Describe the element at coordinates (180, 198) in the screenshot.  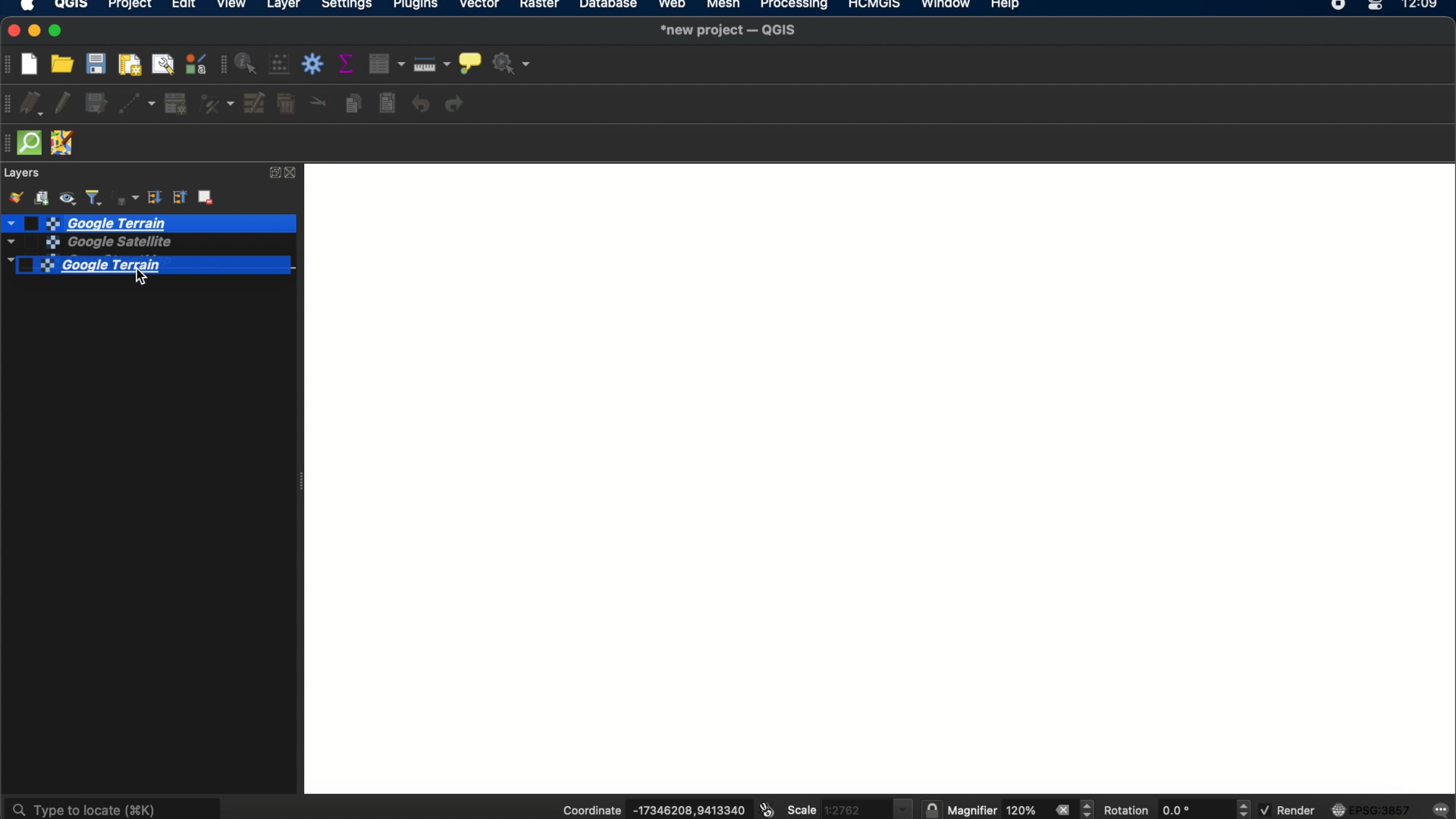
I see `collapse all` at that location.